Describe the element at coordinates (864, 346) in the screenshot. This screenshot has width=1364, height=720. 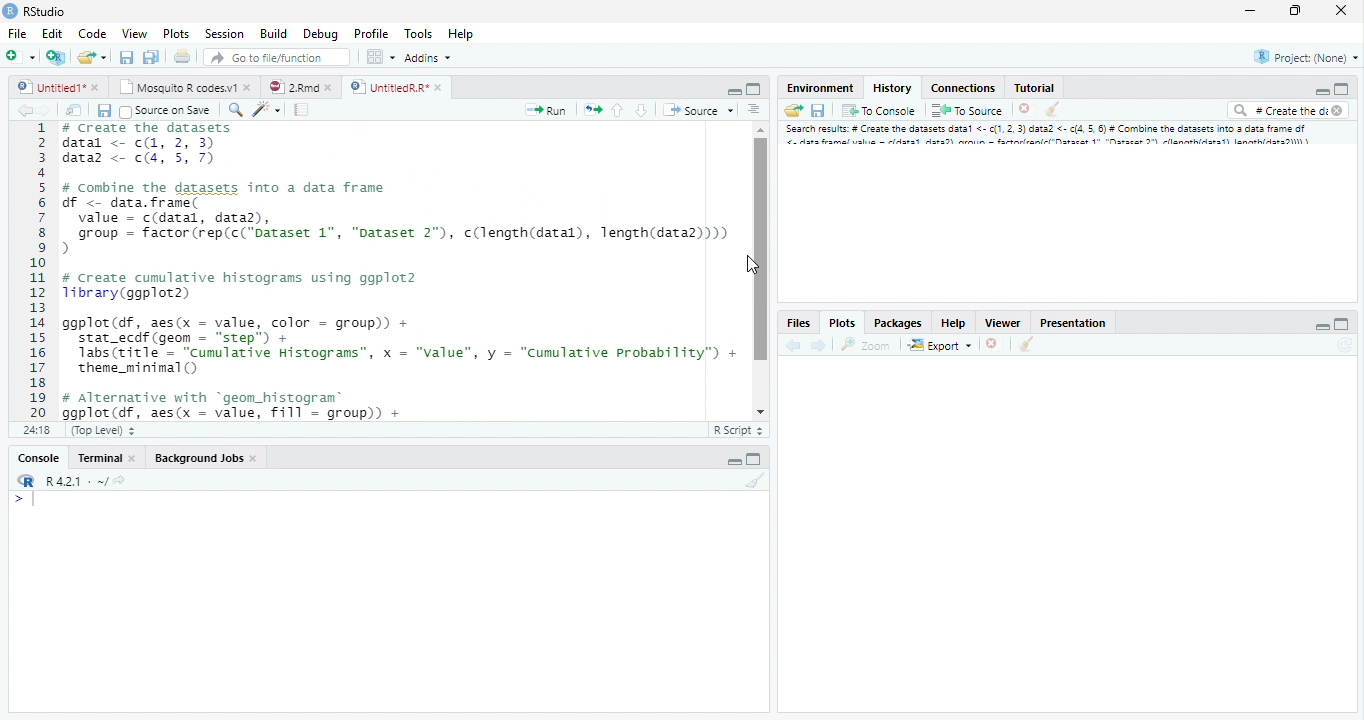
I see `Zoom` at that location.